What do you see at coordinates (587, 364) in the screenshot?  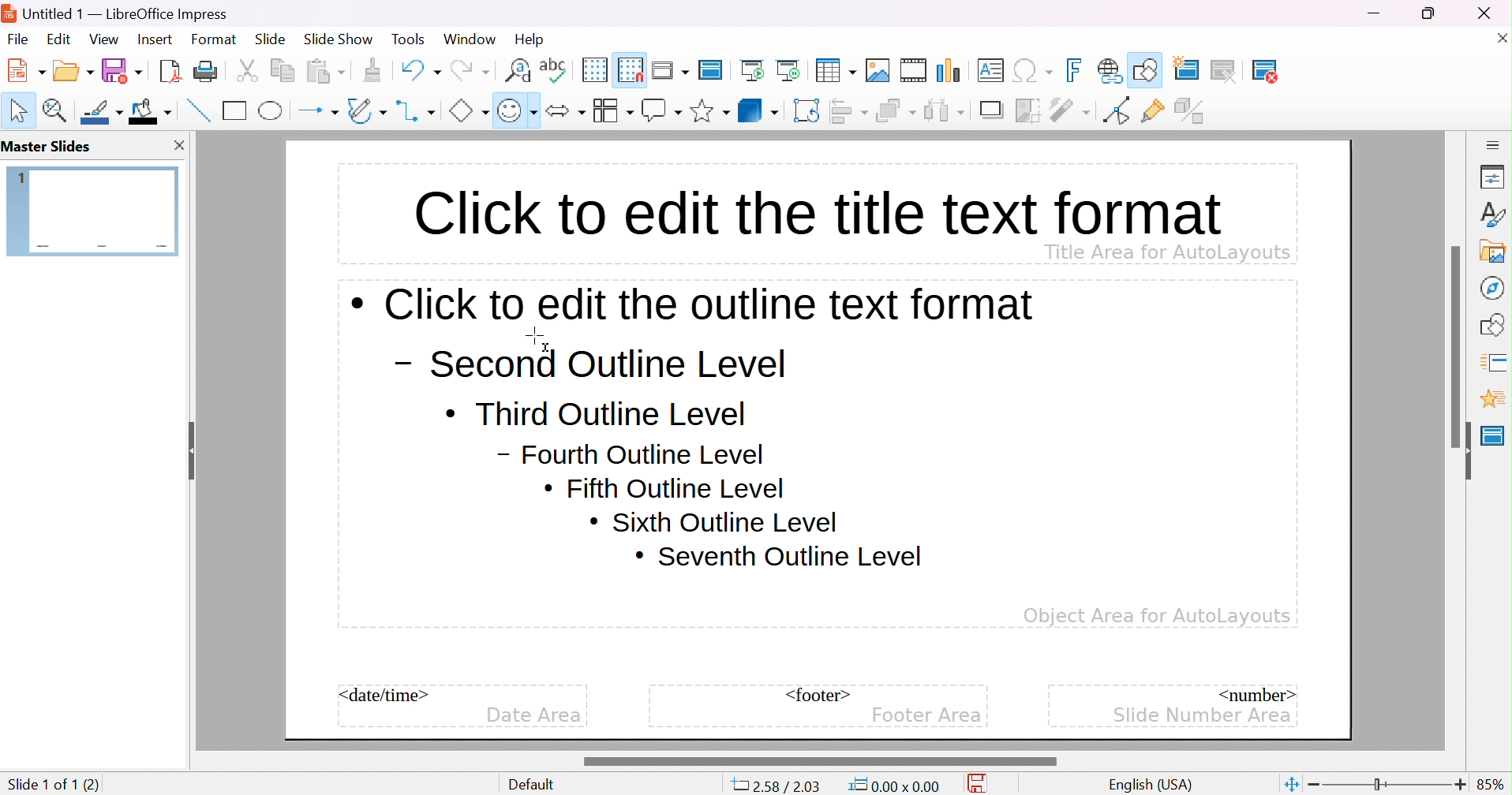 I see `second outline level` at bounding box center [587, 364].